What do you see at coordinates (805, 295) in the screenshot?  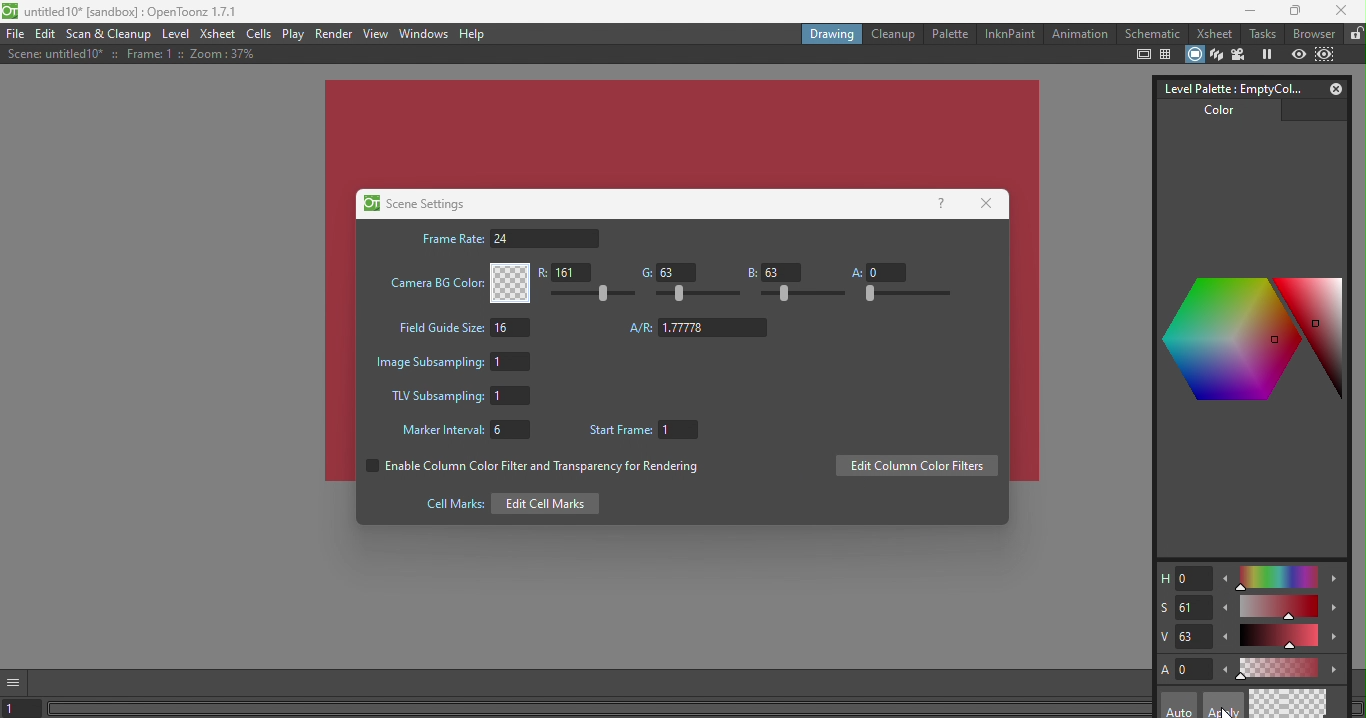 I see `Slide bar` at bounding box center [805, 295].